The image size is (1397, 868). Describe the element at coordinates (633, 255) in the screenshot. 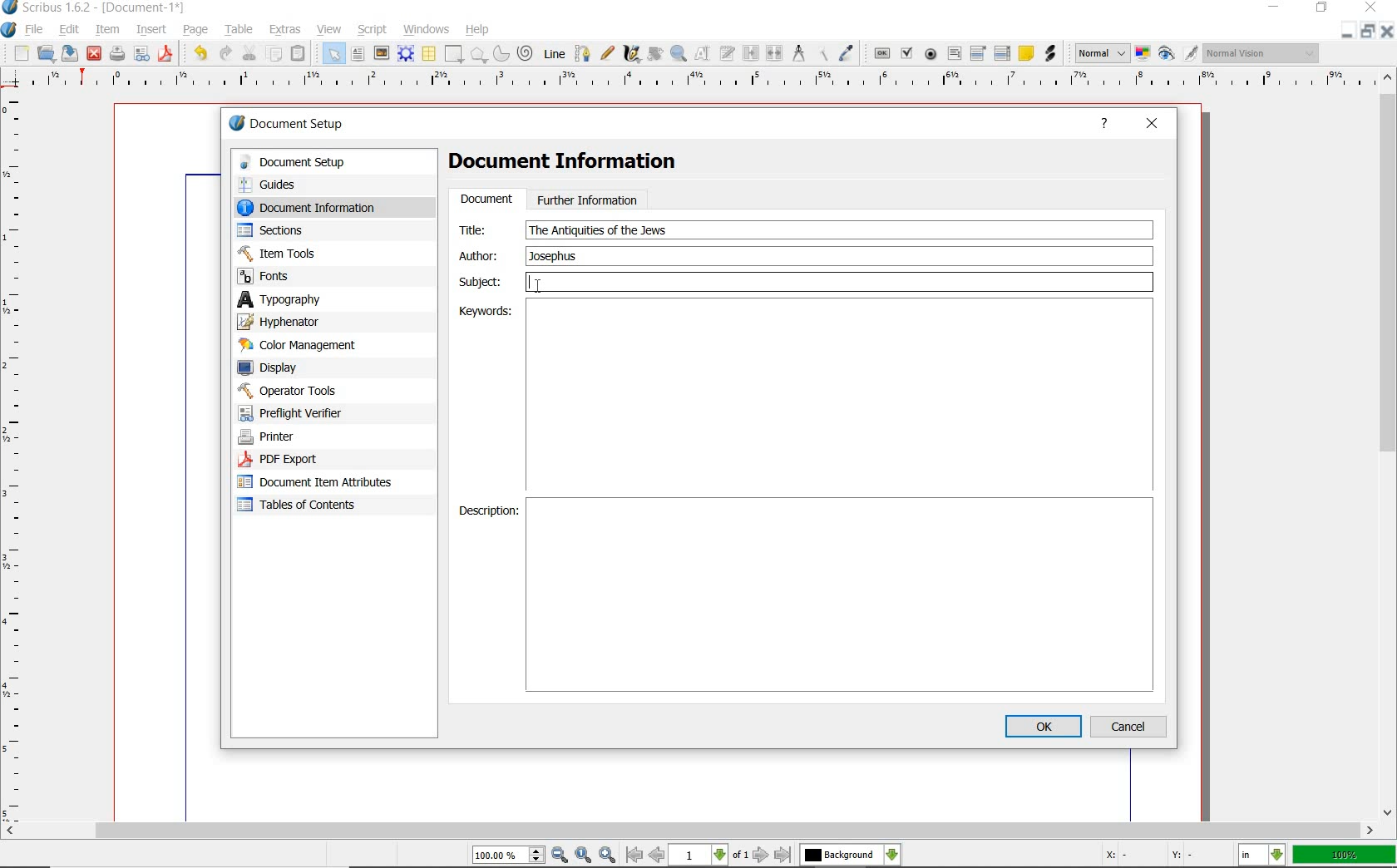

I see `editor` at that location.